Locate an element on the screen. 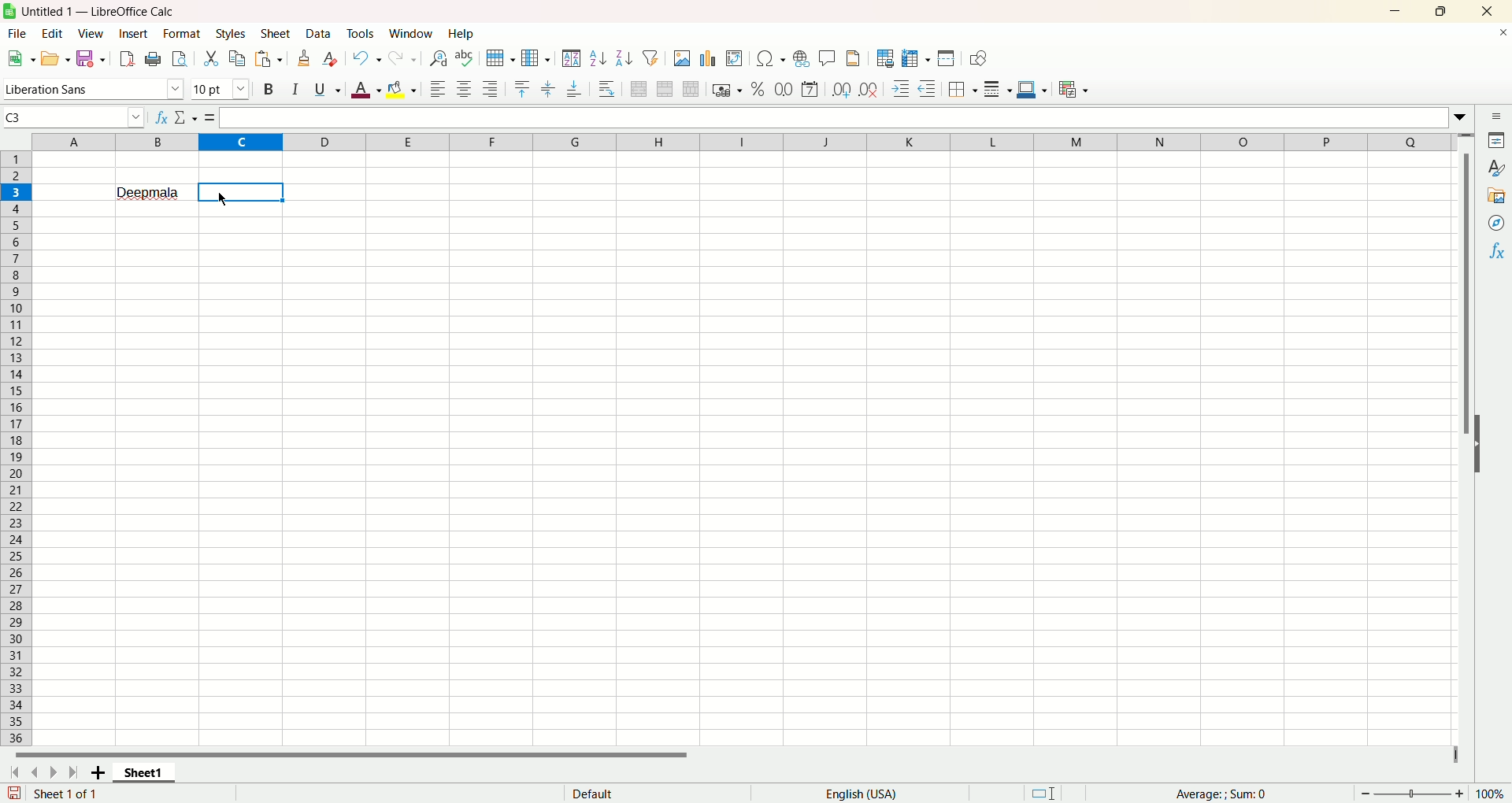  Format as percent is located at coordinates (758, 89).